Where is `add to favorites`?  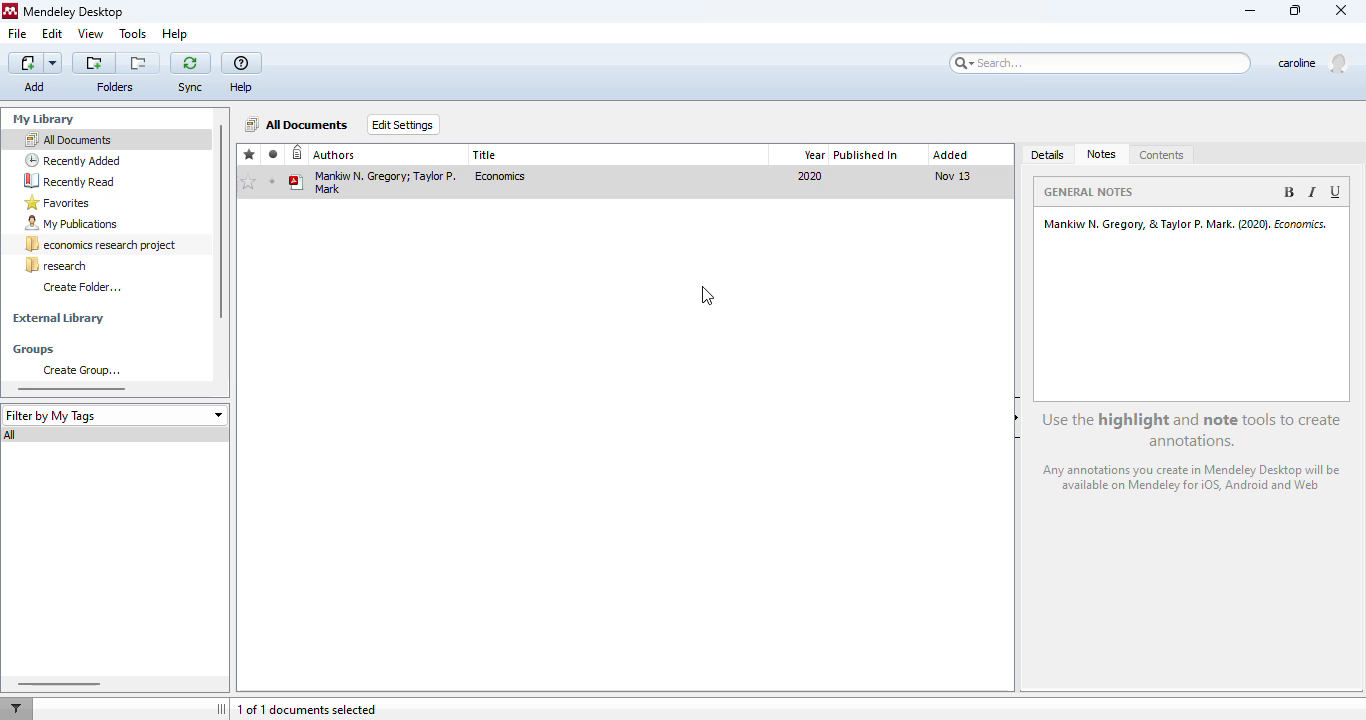
add to favorites is located at coordinates (248, 183).